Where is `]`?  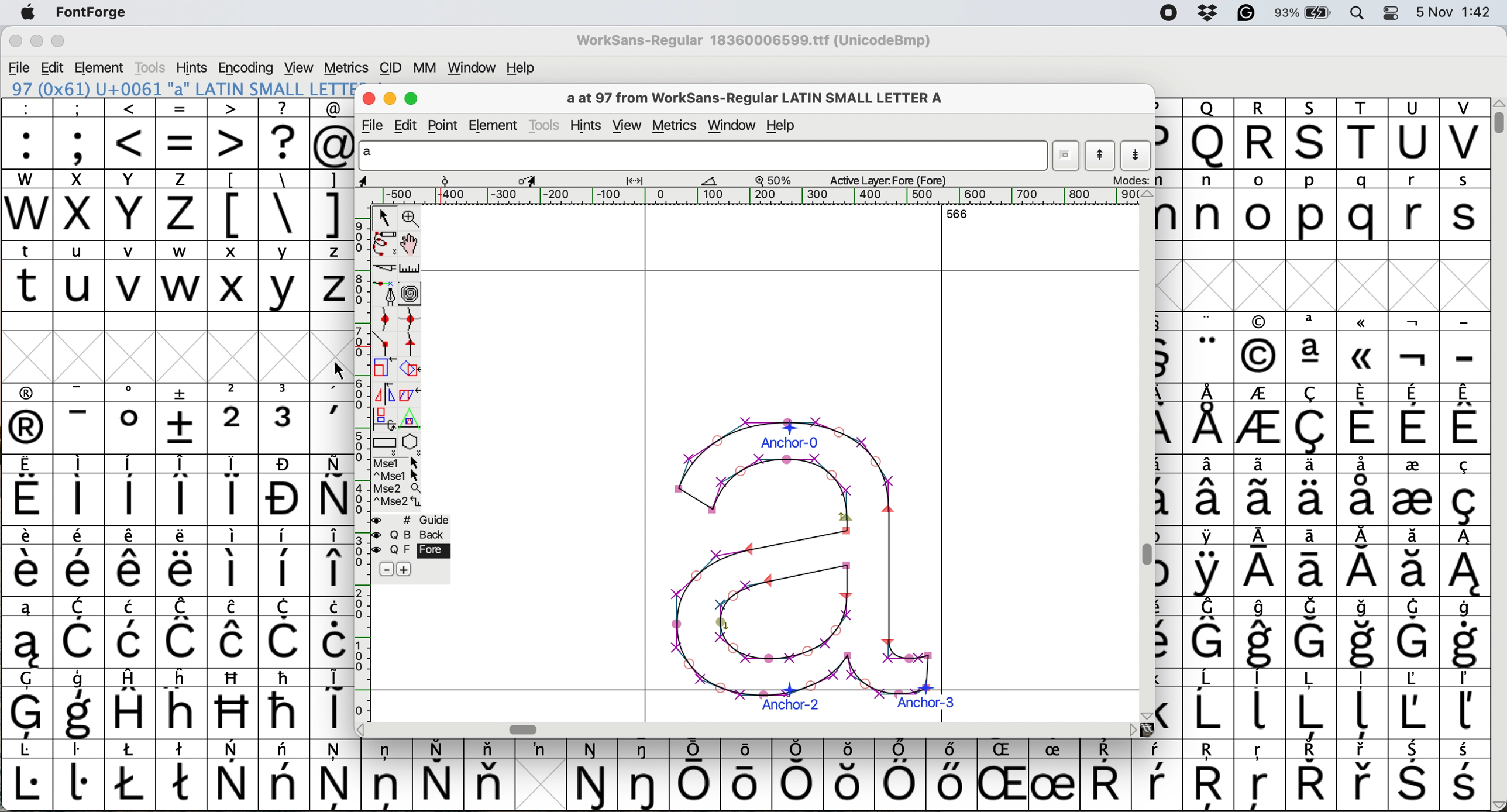
] is located at coordinates (331, 203).